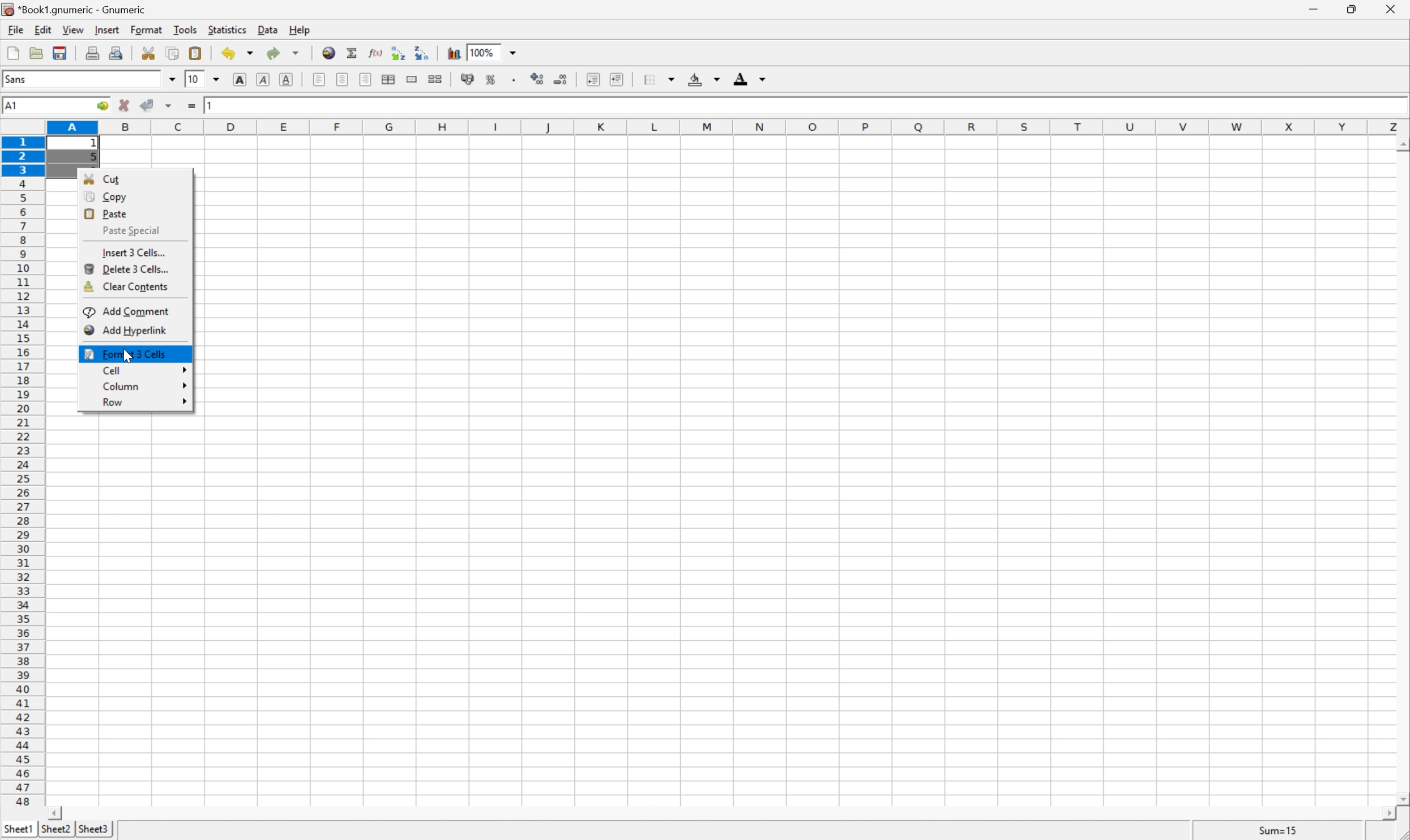  Describe the element at coordinates (1397, 9) in the screenshot. I see `close` at that location.